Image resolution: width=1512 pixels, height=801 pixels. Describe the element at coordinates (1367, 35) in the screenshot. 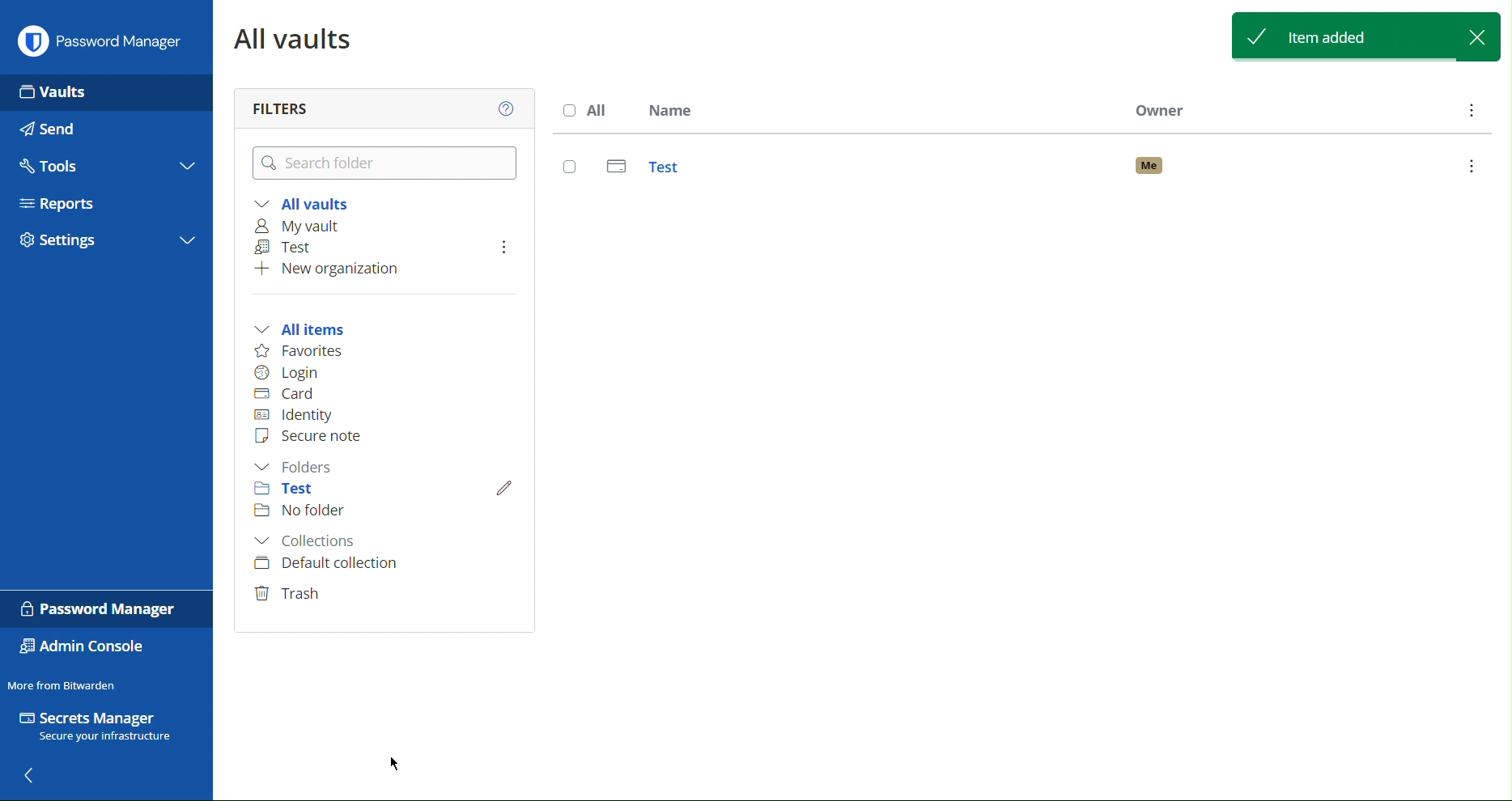

I see `Item added` at that location.